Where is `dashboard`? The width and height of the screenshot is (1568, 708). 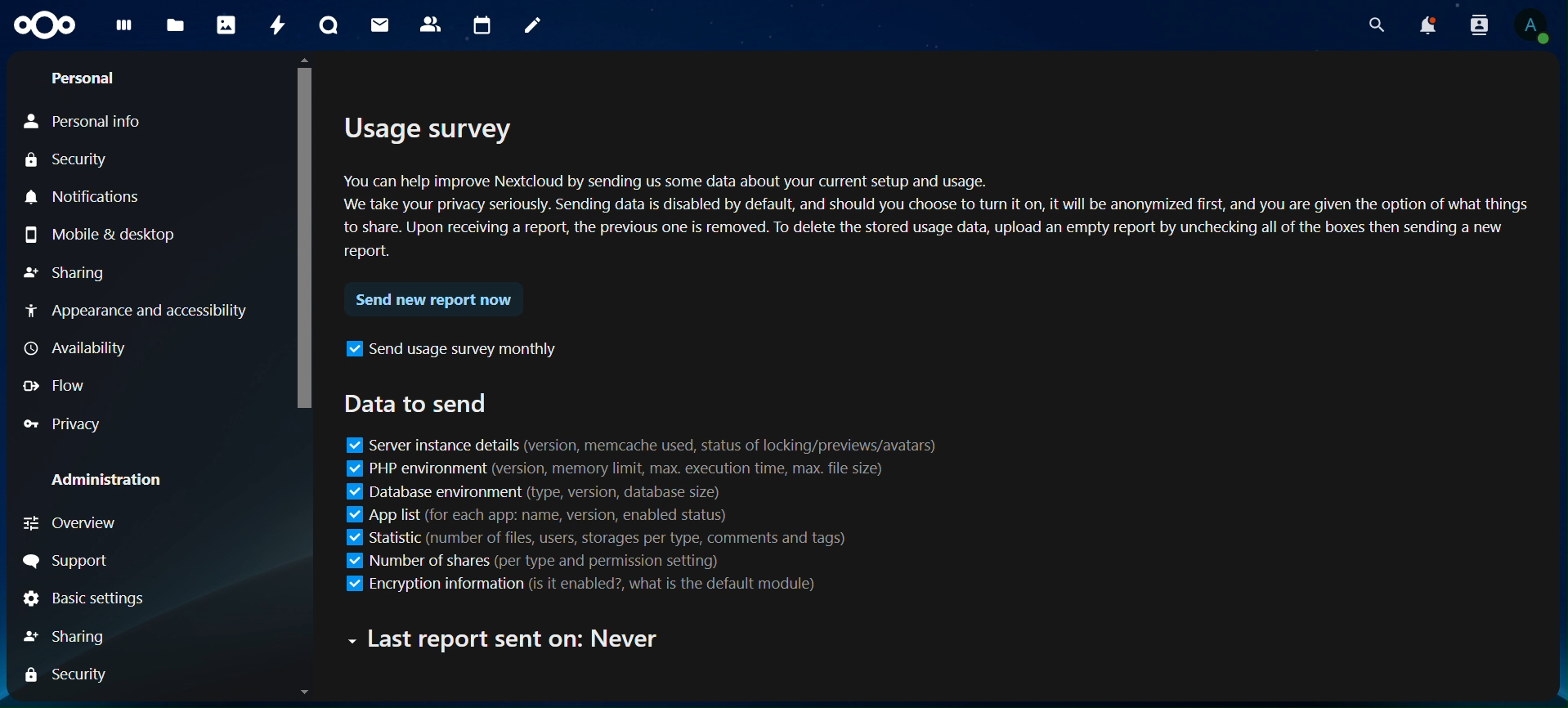
dashboard is located at coordinates (125, 29).